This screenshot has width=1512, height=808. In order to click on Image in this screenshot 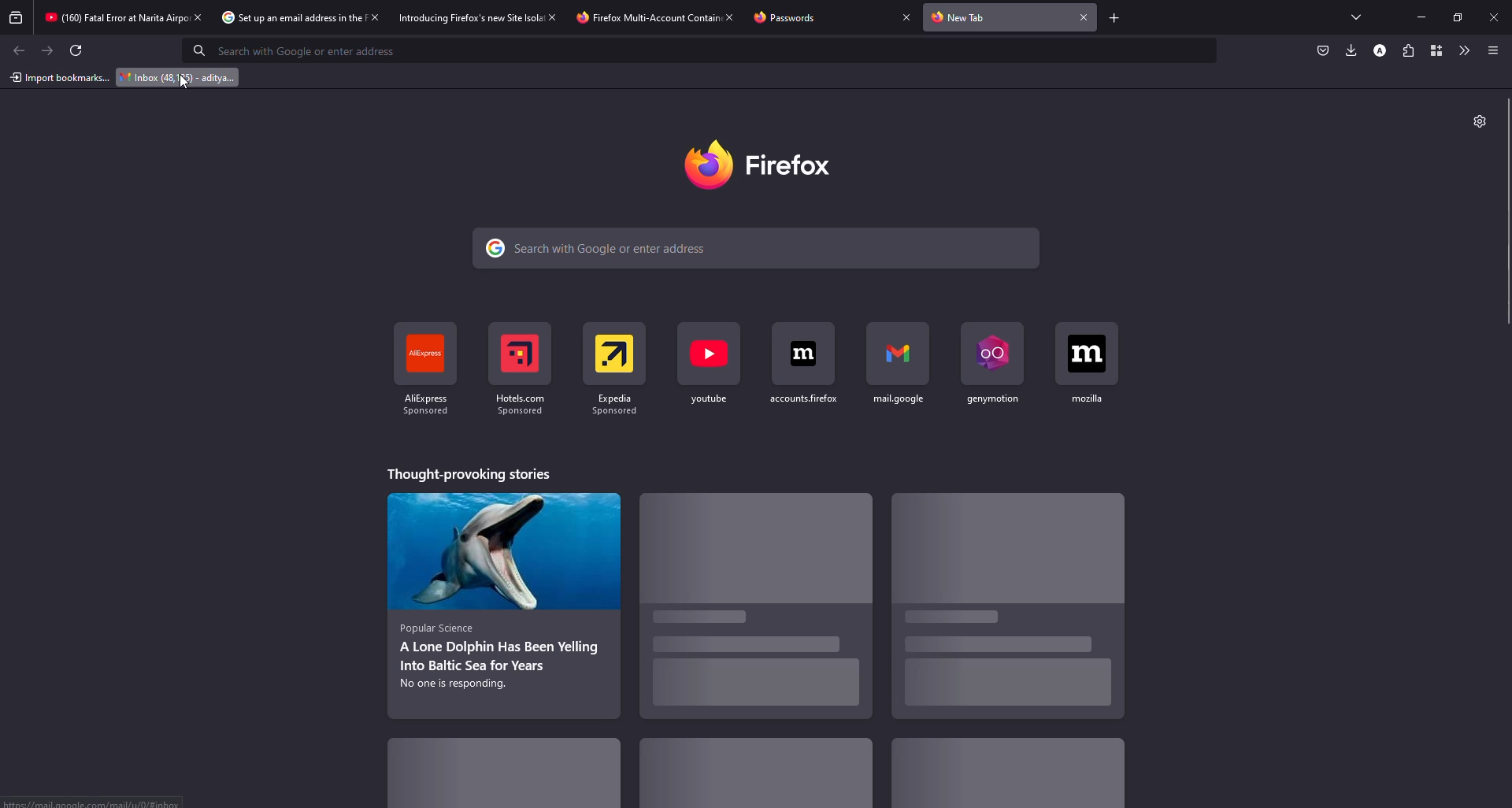, I will do `click(497, 554)`.